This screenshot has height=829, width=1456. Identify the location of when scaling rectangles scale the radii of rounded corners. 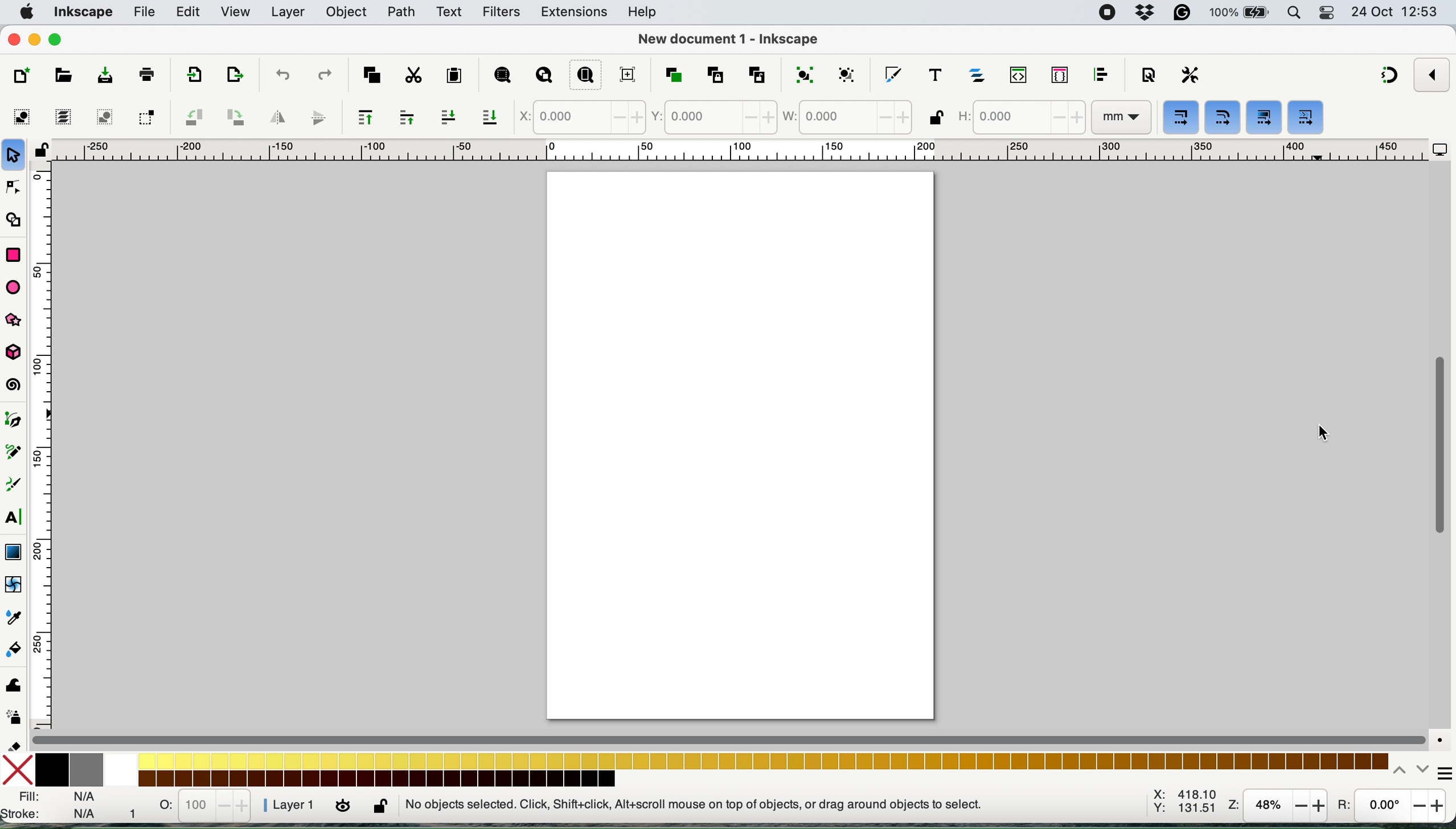
(1223, 118).